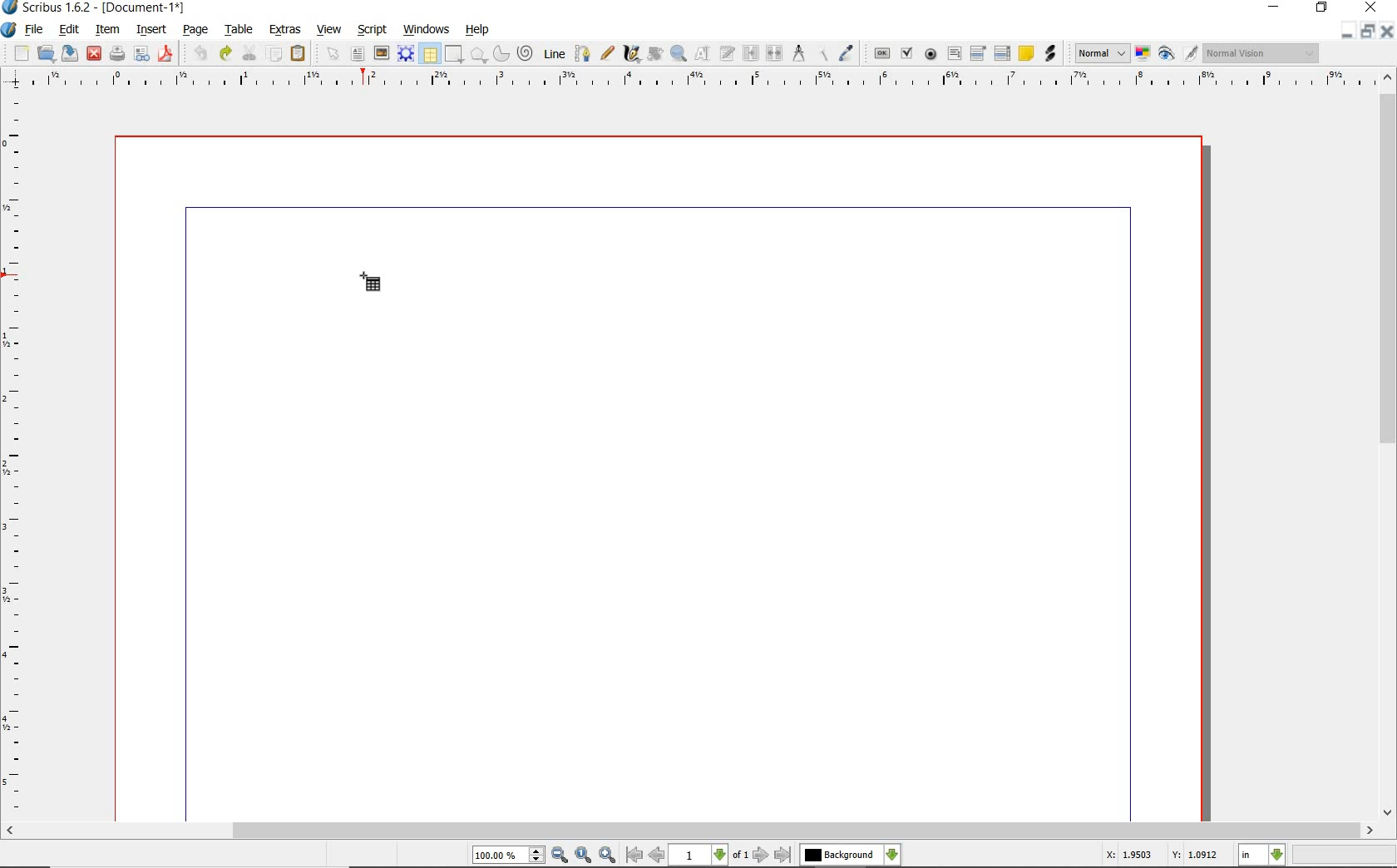 This screenshot has width=1397, height=868. I want to click on shape, so click(479, 56).